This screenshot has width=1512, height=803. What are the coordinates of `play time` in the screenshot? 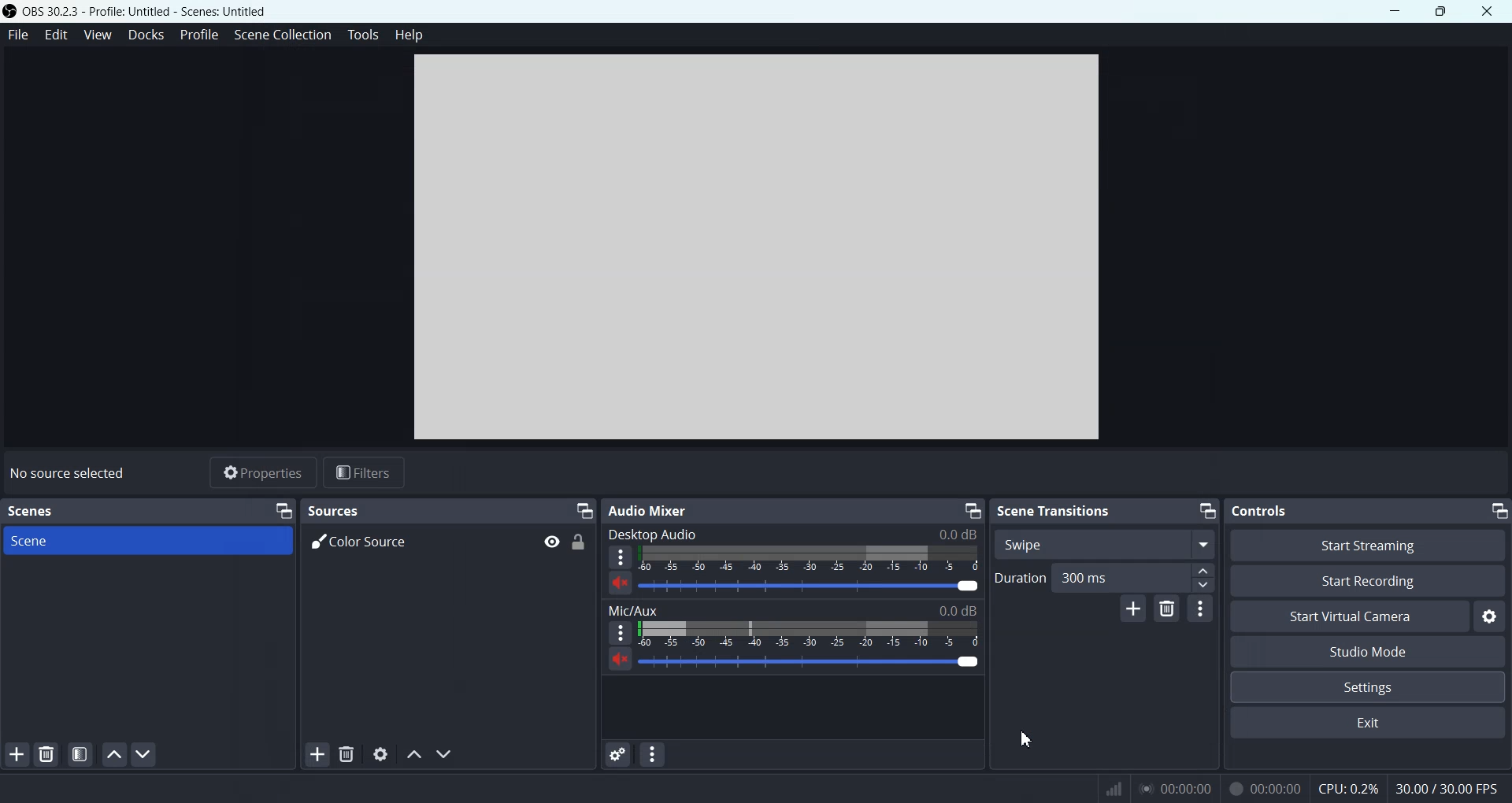 It's located at (1177, 788).